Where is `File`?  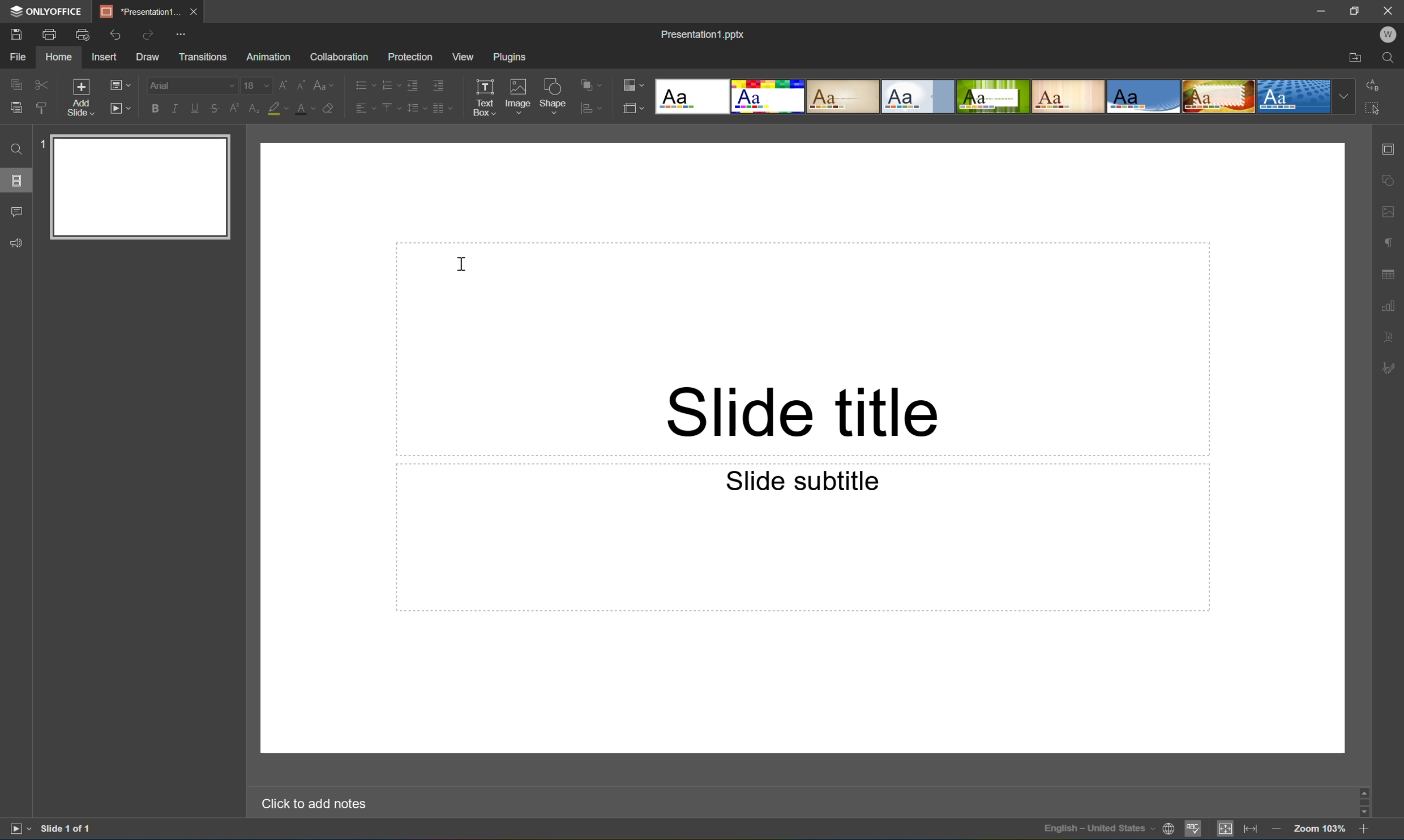 File is located at coordinates (22, 56).